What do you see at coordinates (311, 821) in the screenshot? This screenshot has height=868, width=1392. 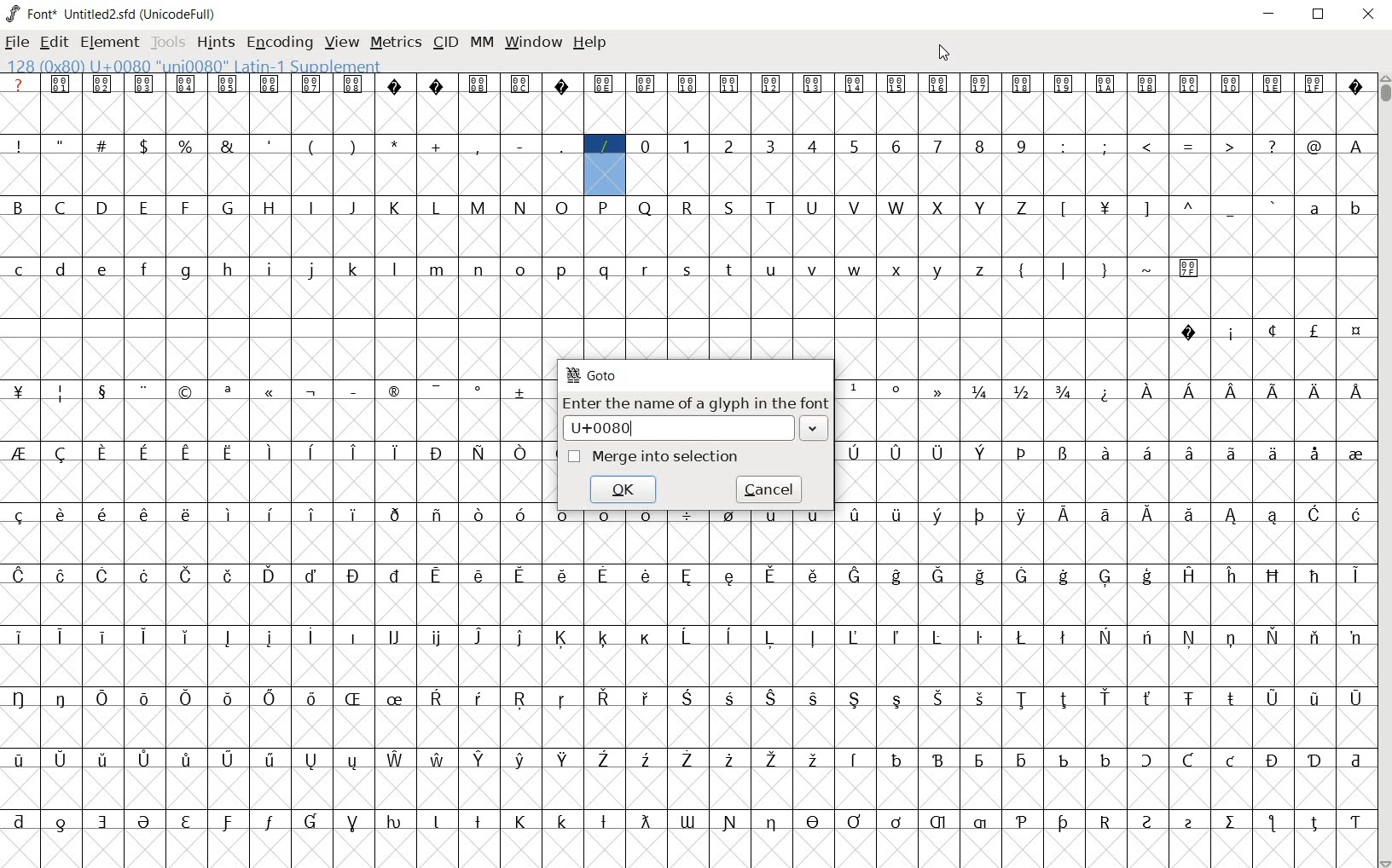 I see `glyph` at bounding box center [311, 821].